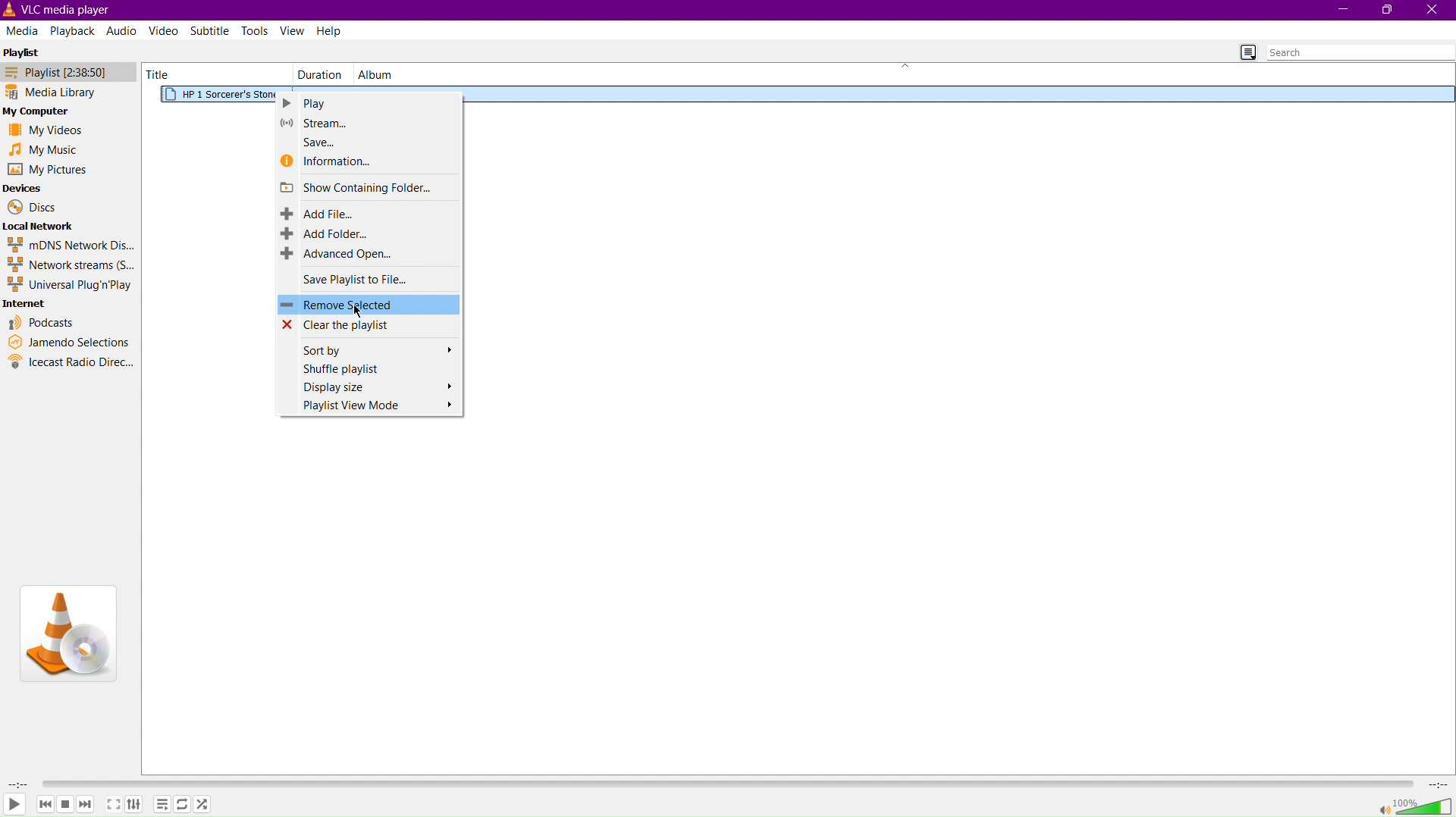 Image resolution: width=1456 pixels, height=817 pixels. Describe the element at coordinates (18, 784) in the screenshot. I see `--:--` at that location.